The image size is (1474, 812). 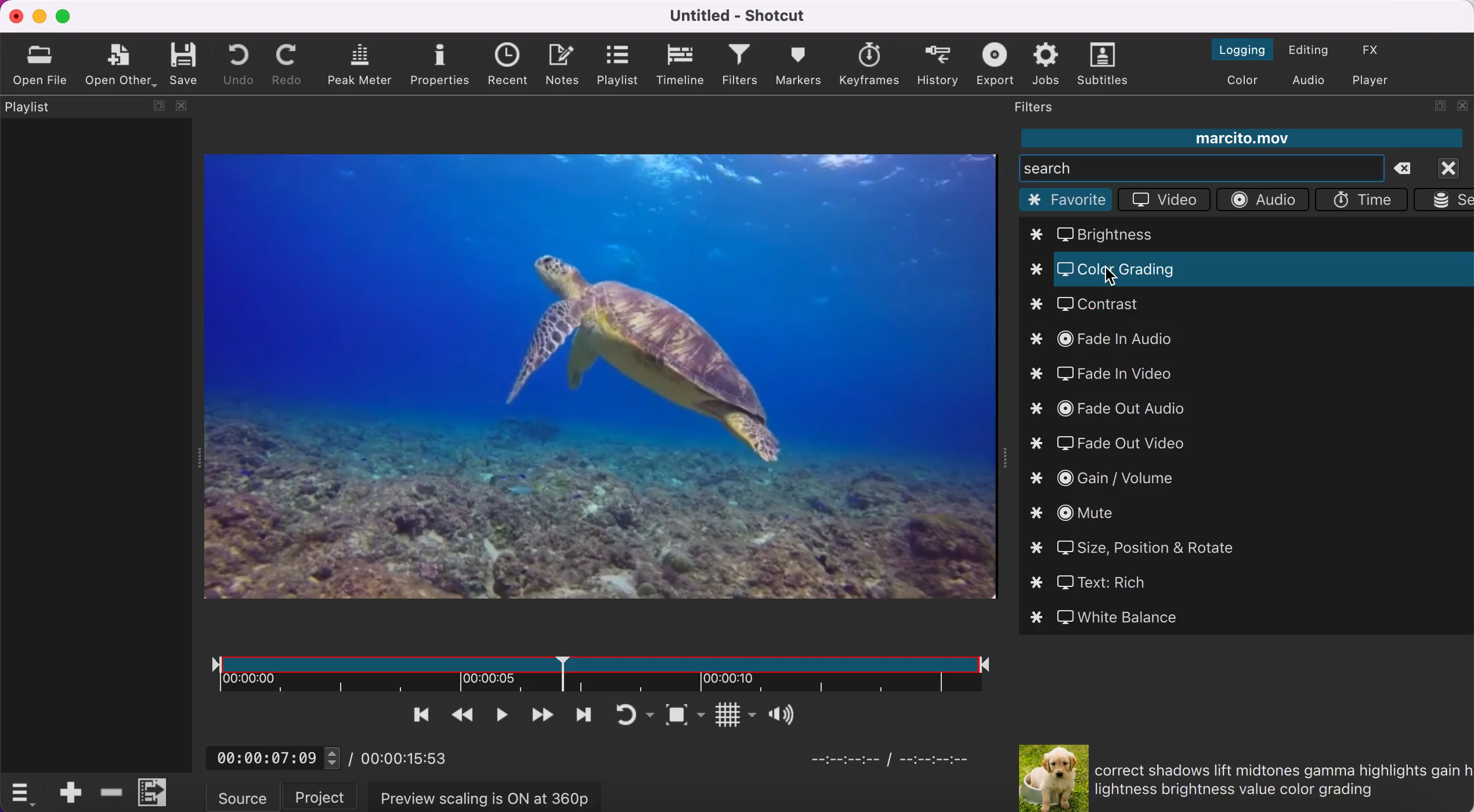 What do you see at coordinates (591, 670) in the screenshot?
I see `clip duration` at bounding box center [591, 670].